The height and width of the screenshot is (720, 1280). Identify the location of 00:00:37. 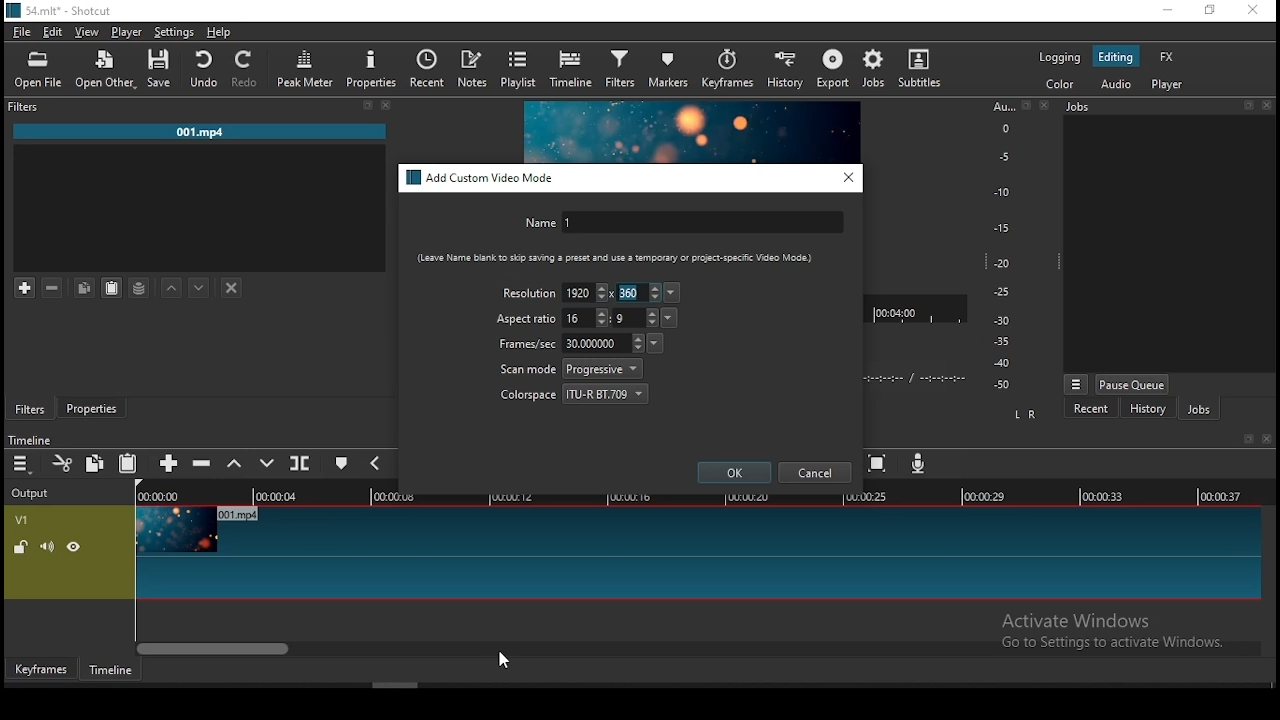
(1224, 496).